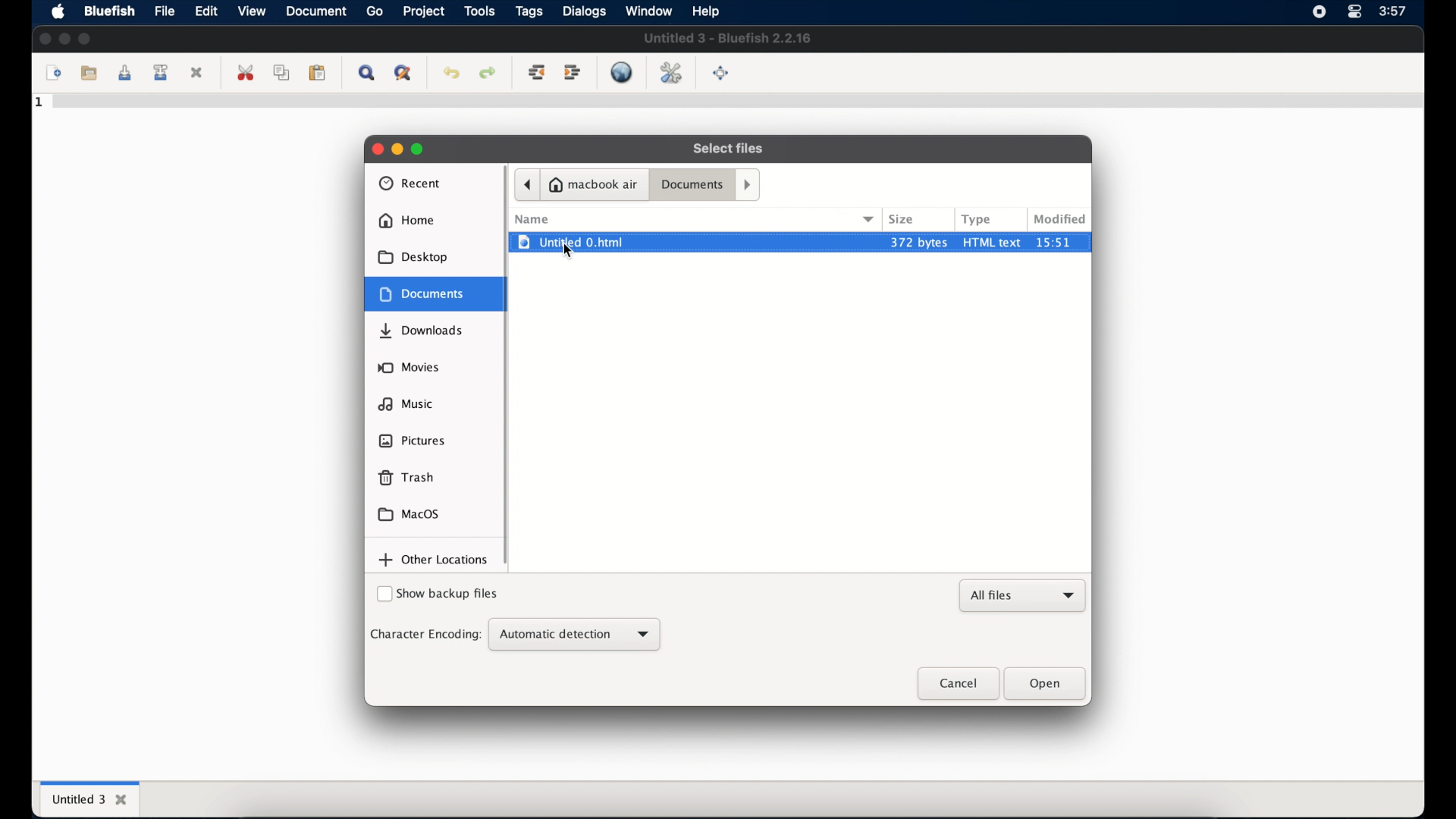 The width and height of the screenshot is (1456, 819). I want to click on new, so click(52, 74).